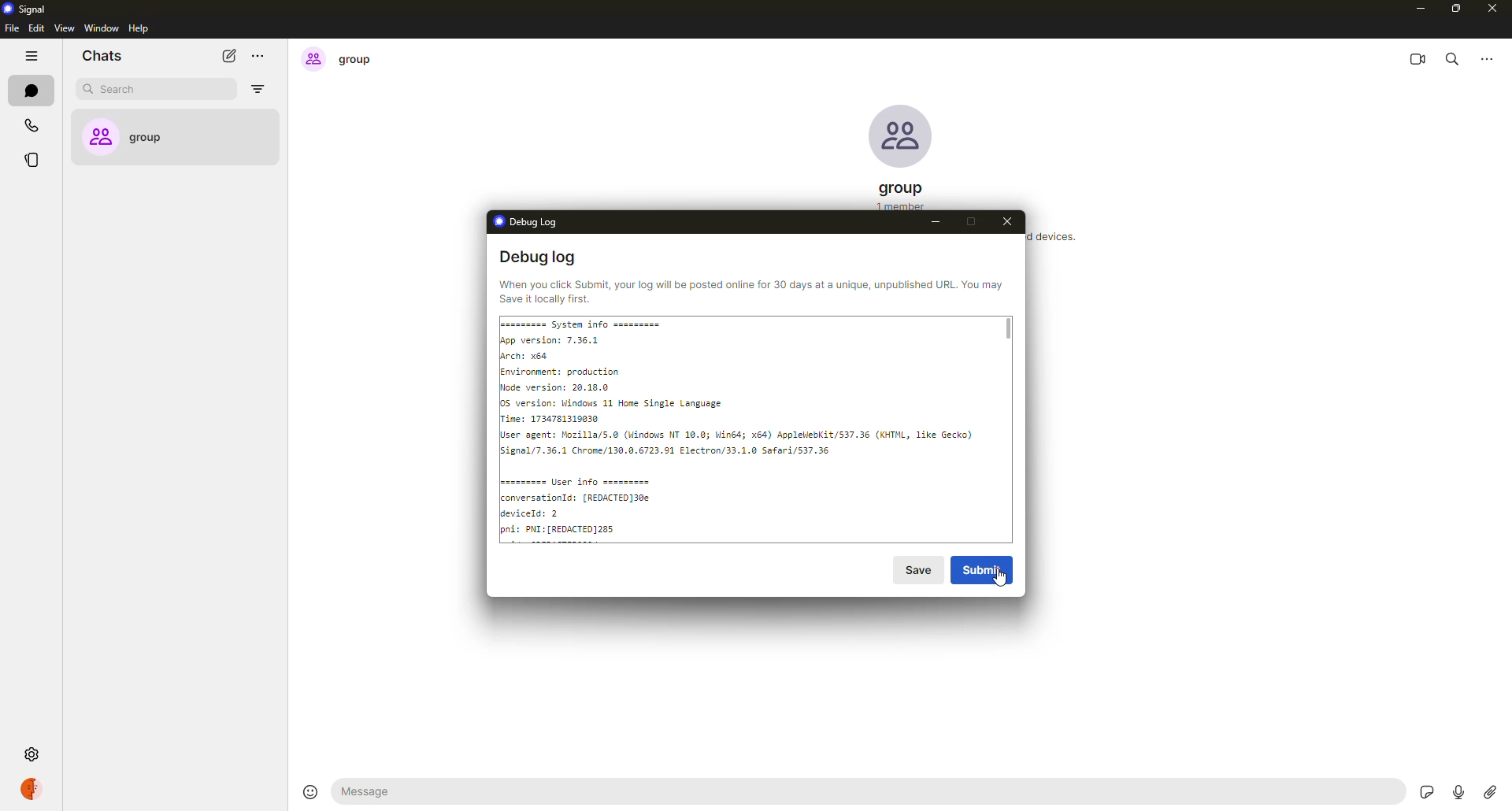 This screenshot has height=811, width=1512. What do you see at coordinates (750, 291) in the screenshot?
I see `info` at bounding box center [750, 291].